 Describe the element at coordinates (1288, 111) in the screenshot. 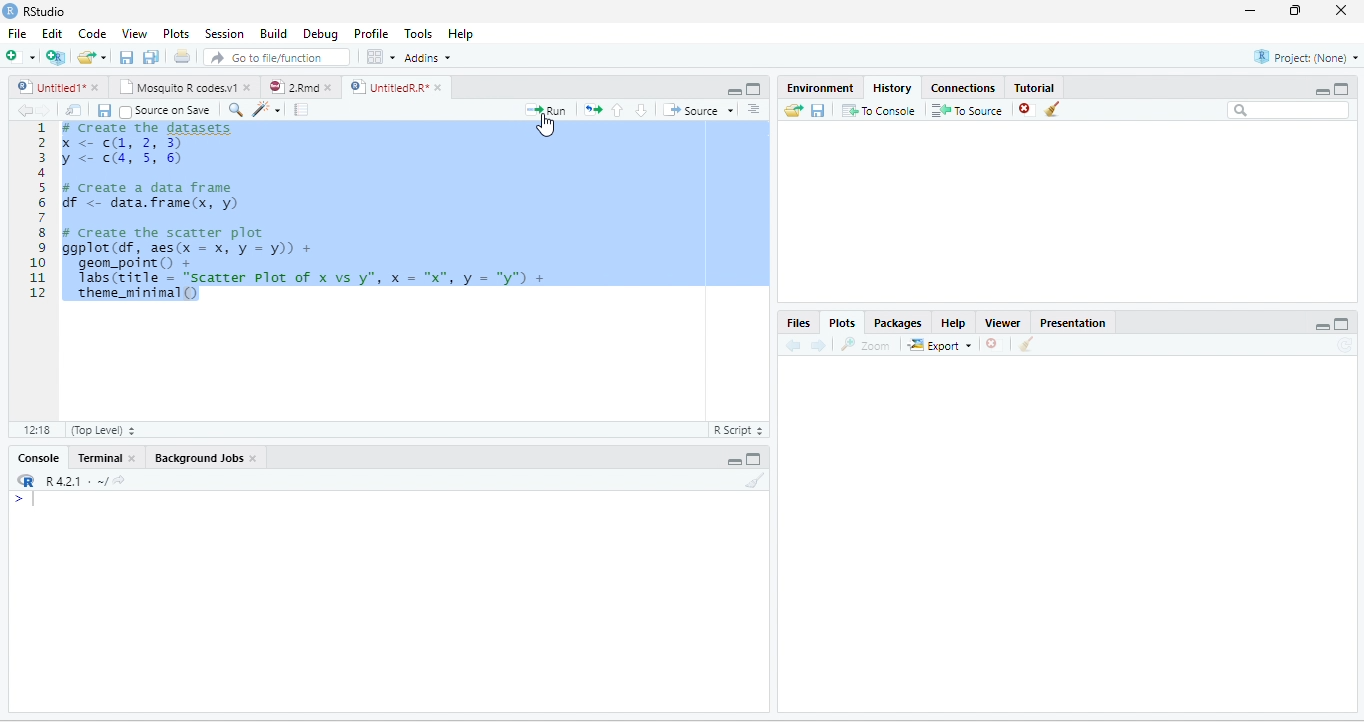

I see `Search bar` at that location.